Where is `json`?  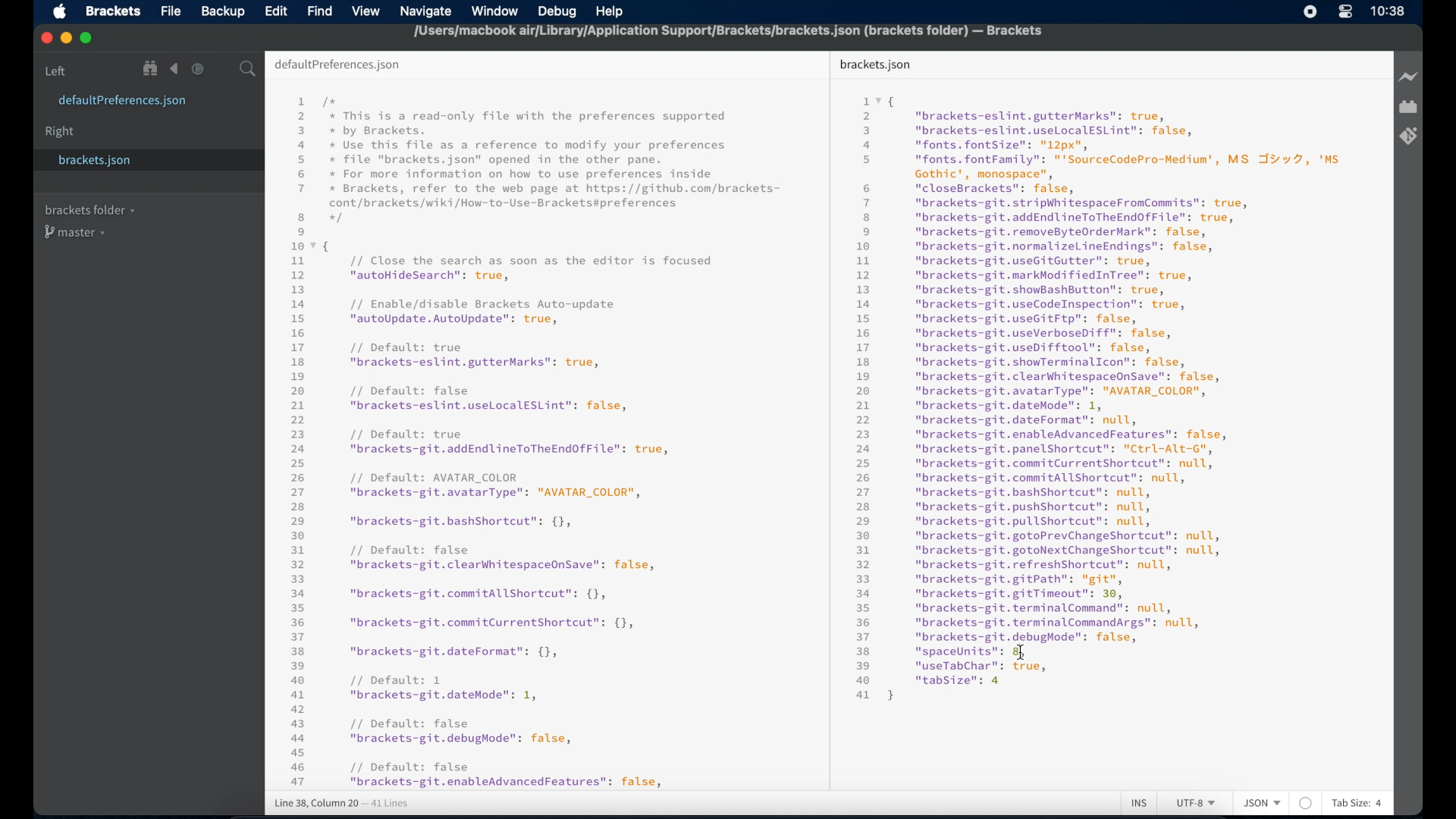 json is located at coordinates (1261, 801).